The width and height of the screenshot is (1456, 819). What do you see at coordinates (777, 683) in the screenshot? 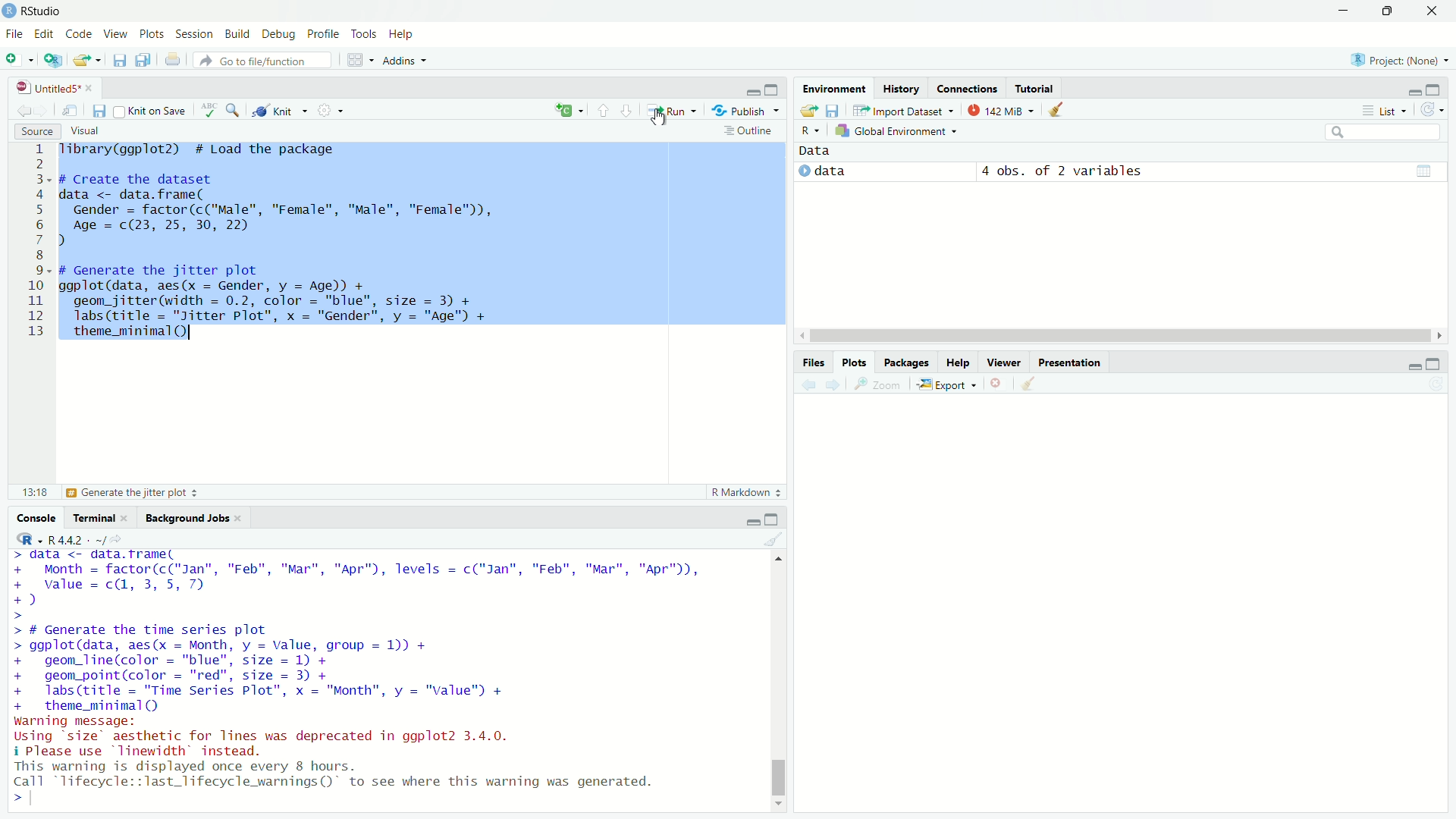
I see `scrollbar` at bounding box center [777, 683].